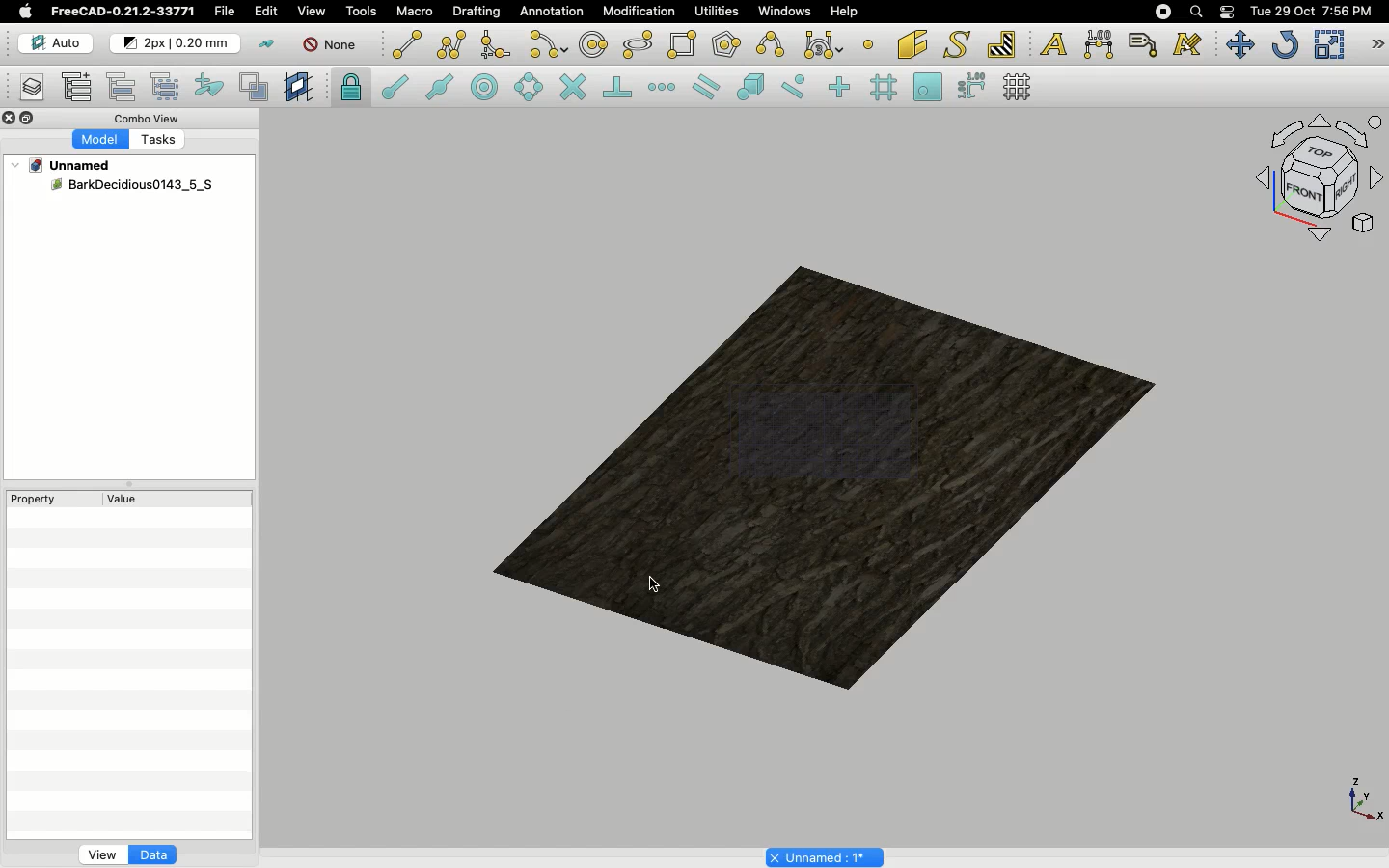 The height and width of the screenshot is (868, 1389). What do you see at coordinates (81, 89) in the screenshot?
I see `Add new named group` at bounding box center [81, 89].